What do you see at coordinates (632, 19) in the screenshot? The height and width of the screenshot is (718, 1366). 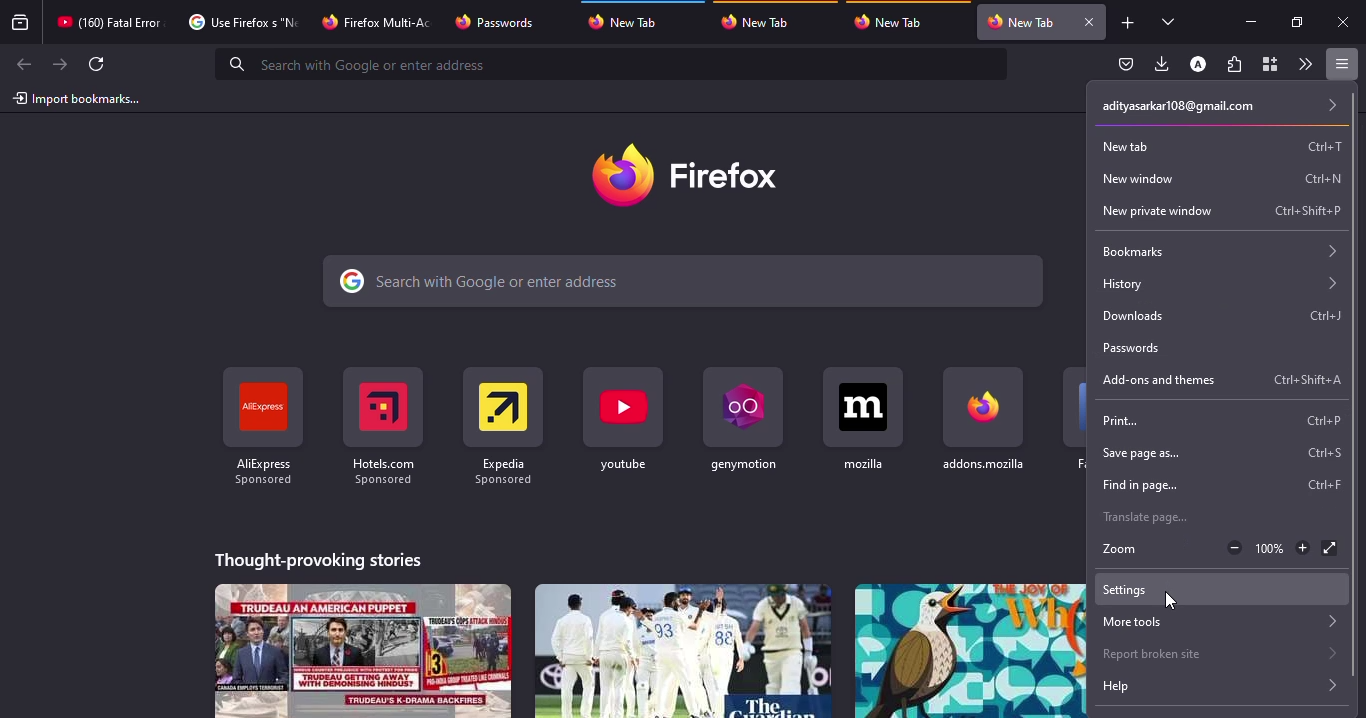 I see `tab` at bounding box center [632, 19].